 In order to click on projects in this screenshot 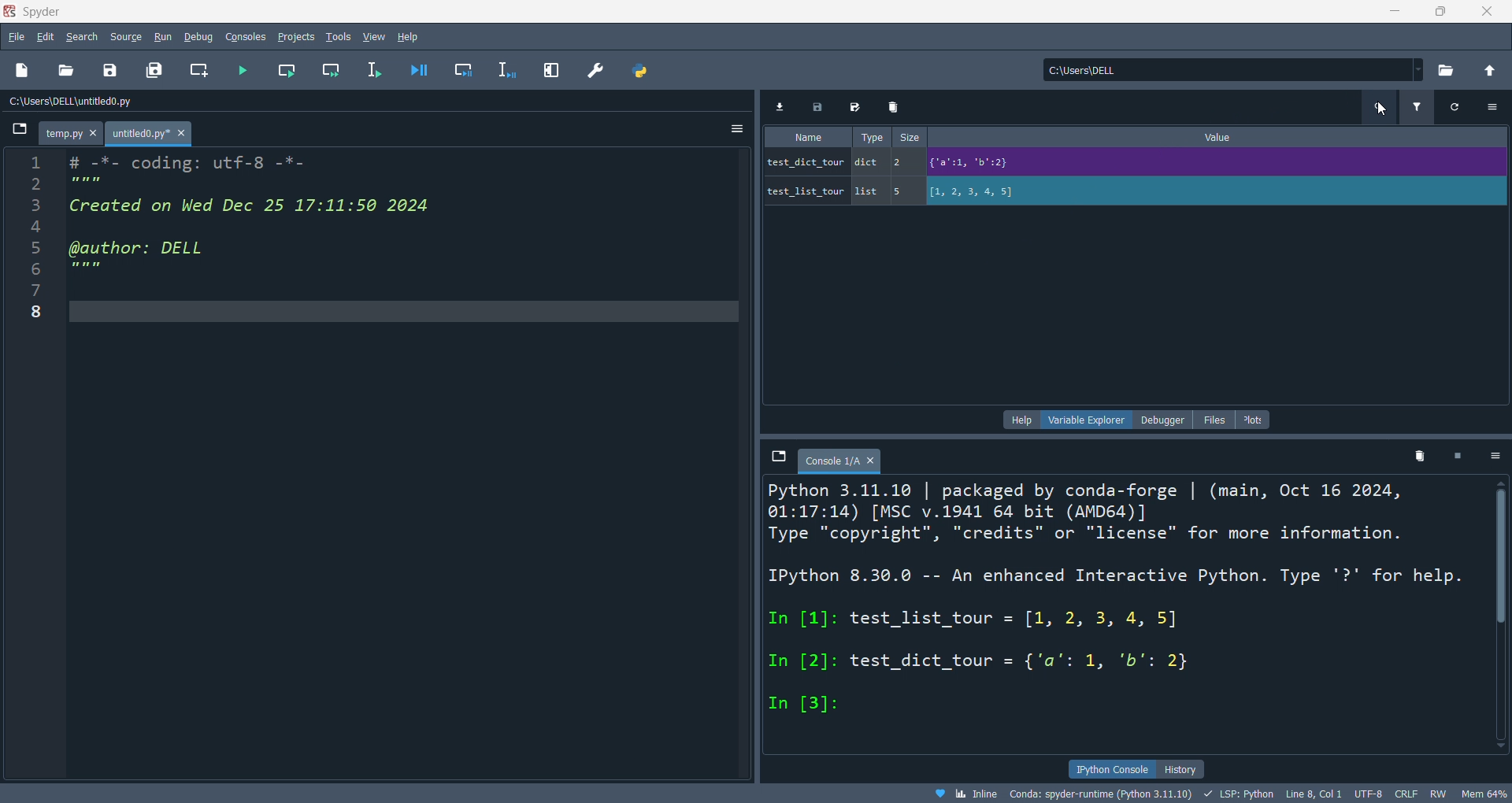, I will do `click(291, 33)`.